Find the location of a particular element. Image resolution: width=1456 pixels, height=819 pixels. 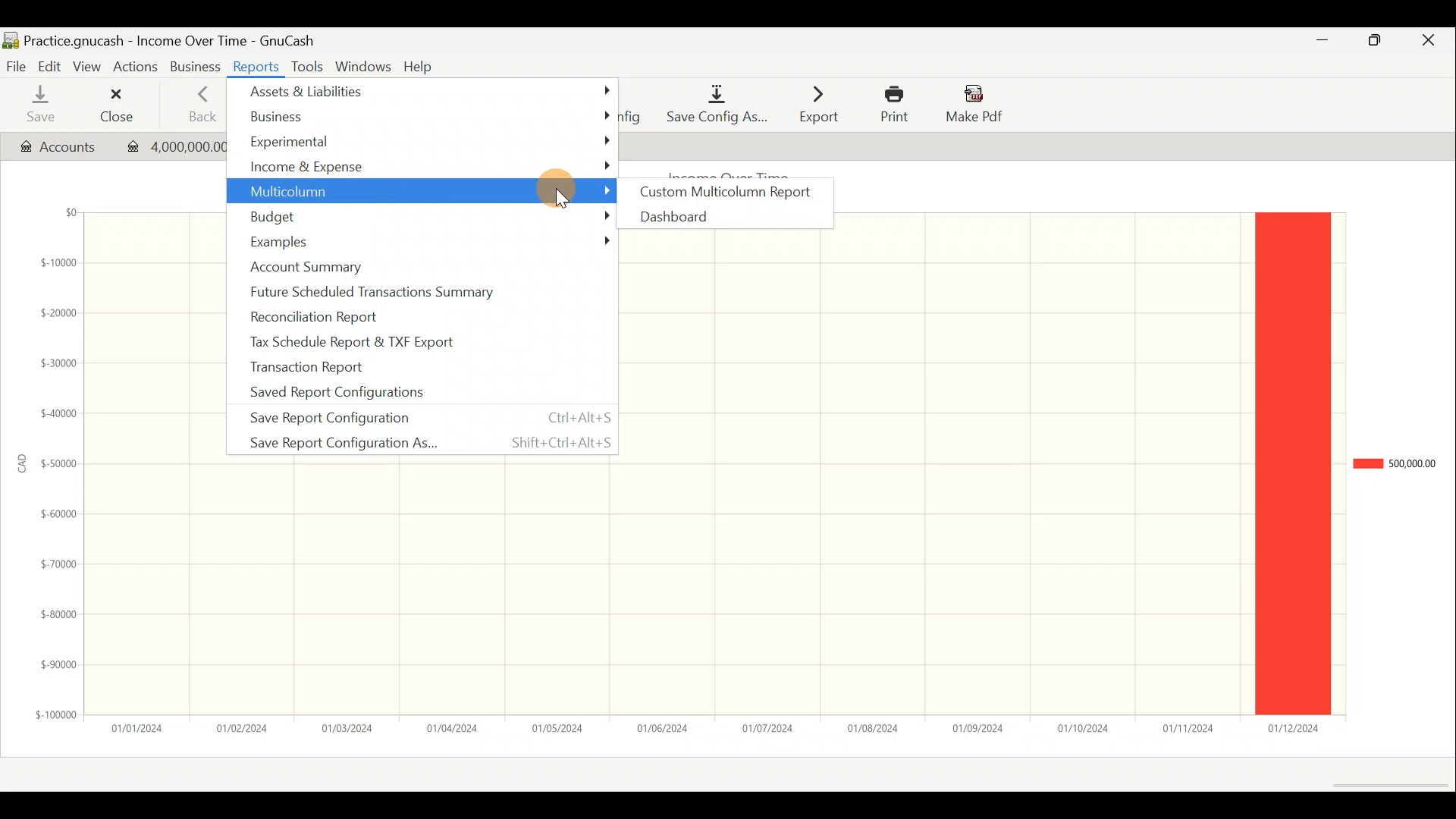

Help is located at coordinates (422, 64).